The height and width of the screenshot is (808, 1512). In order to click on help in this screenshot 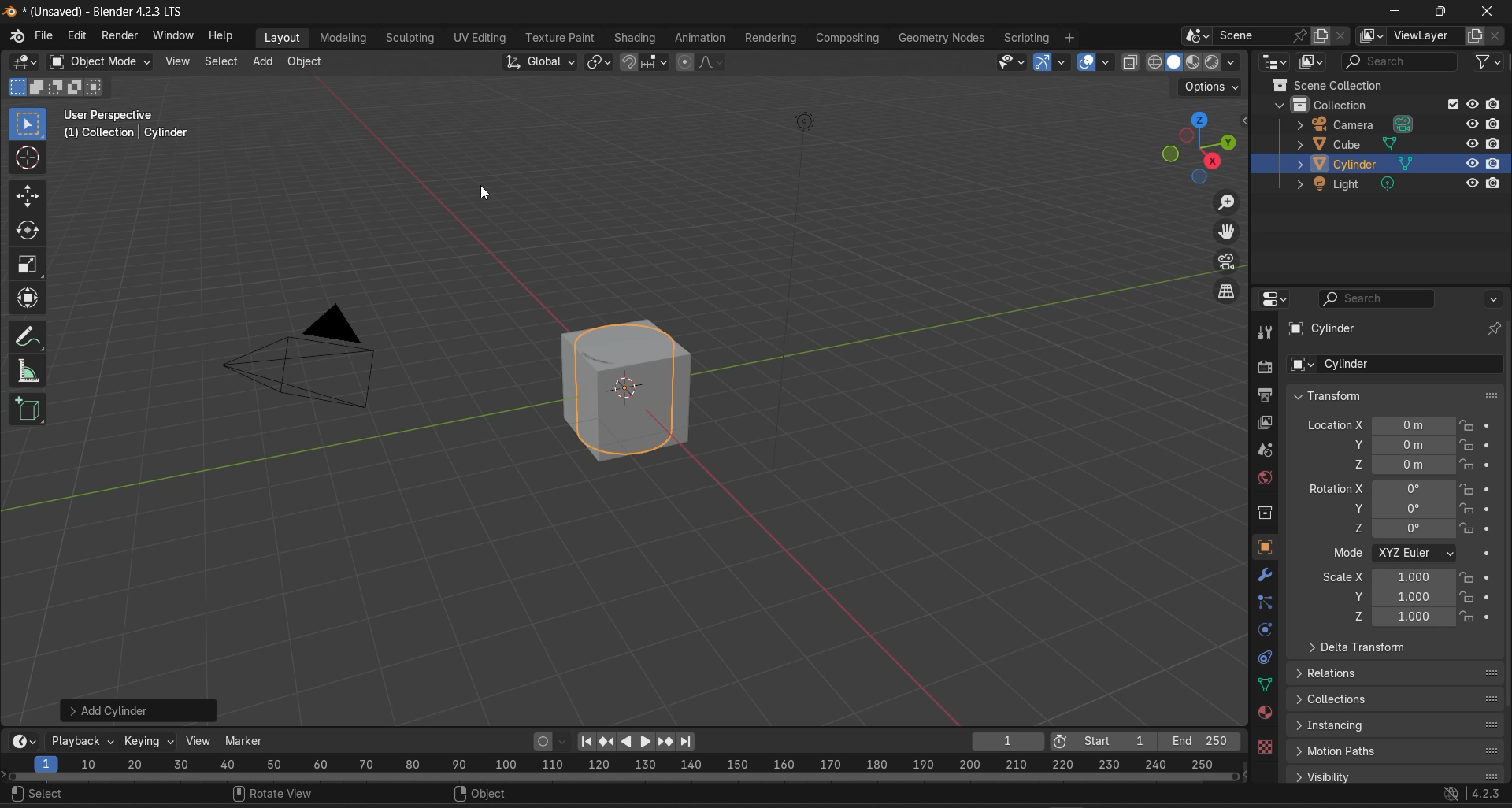, I will do `click(224, 36)`.